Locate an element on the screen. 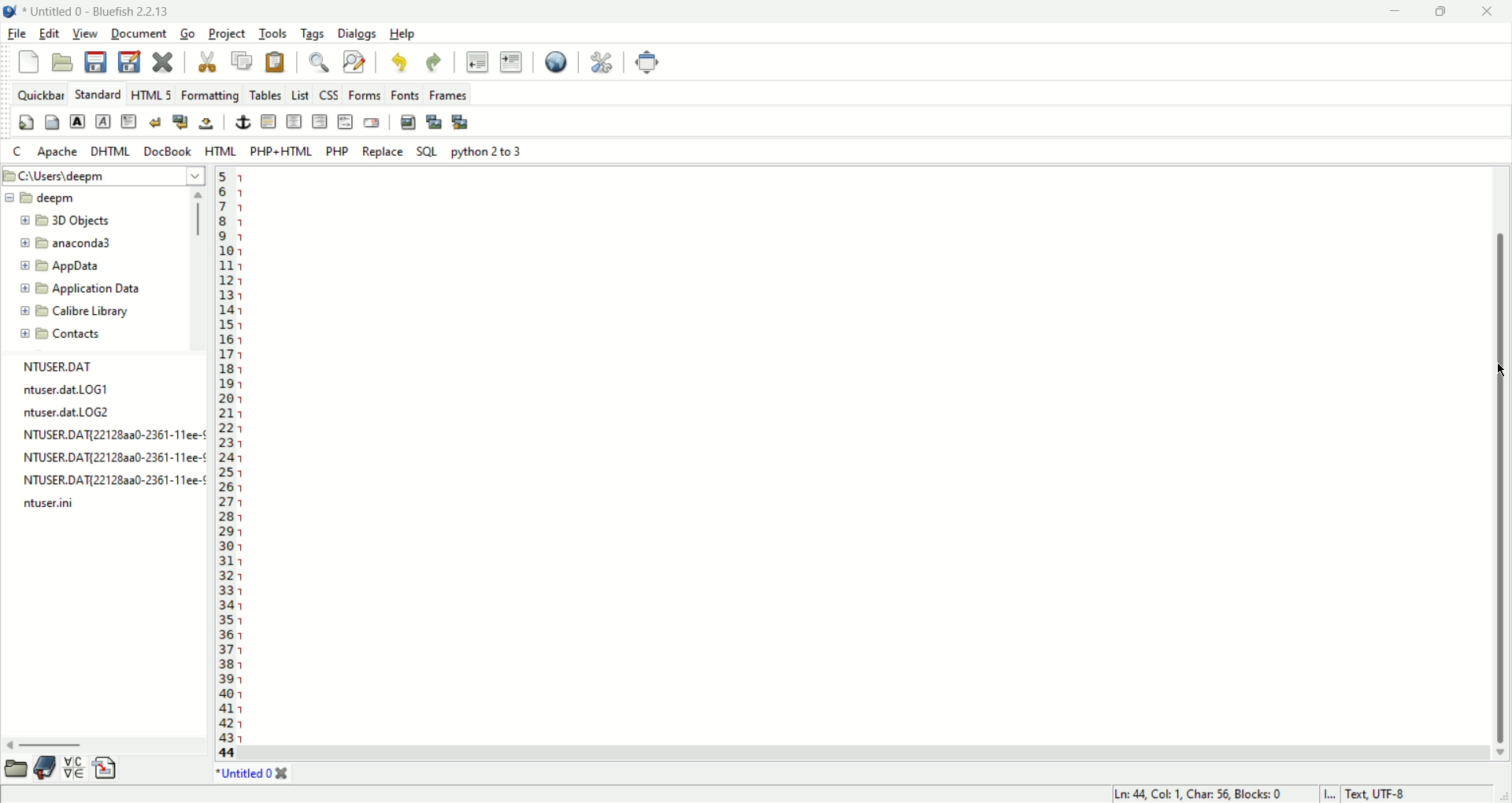  body is located at coordinates (52, 124).